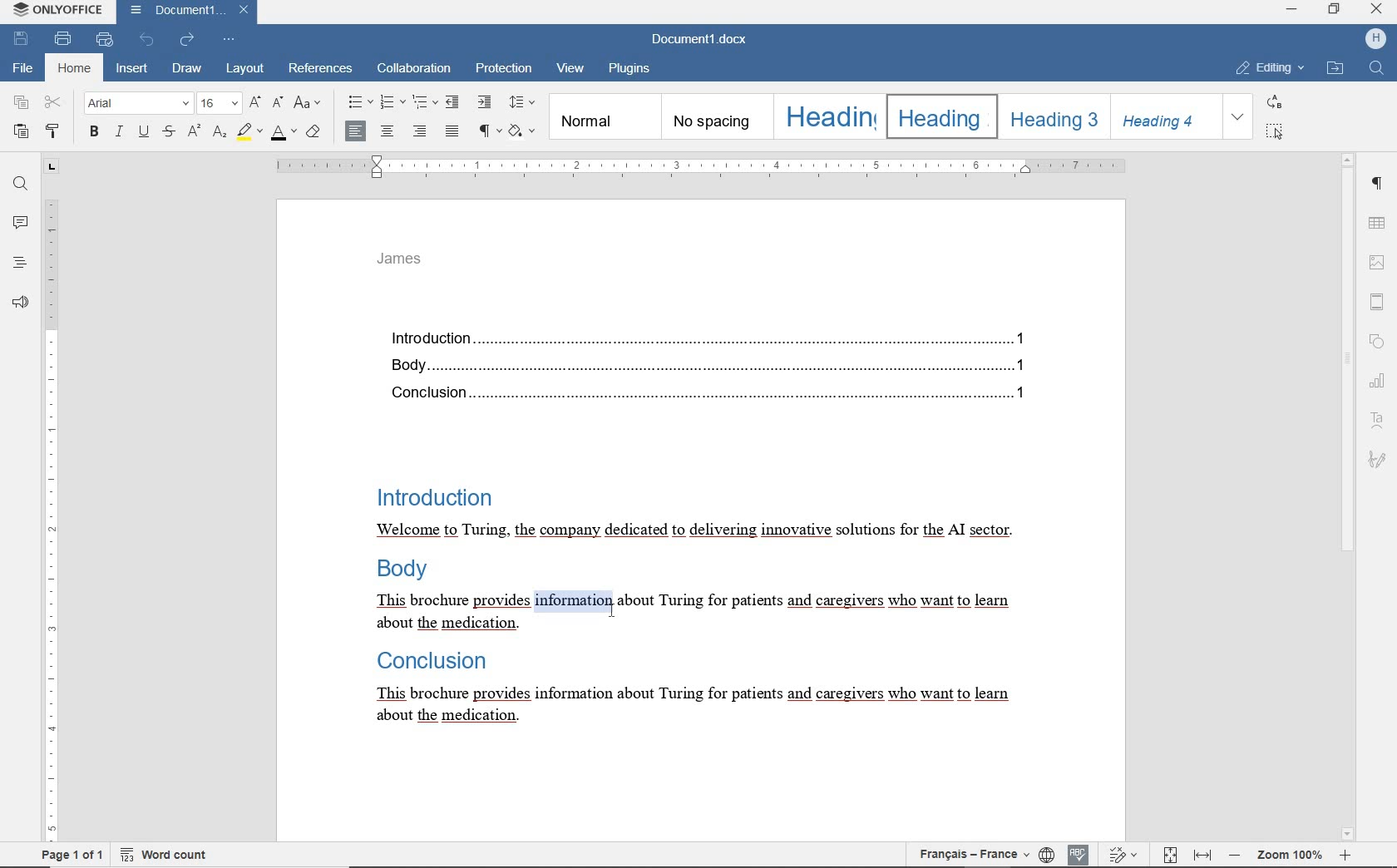  I want to click on CUSTOMIZE QUICK ACCESS TOOLBAR, so click(230, 40).